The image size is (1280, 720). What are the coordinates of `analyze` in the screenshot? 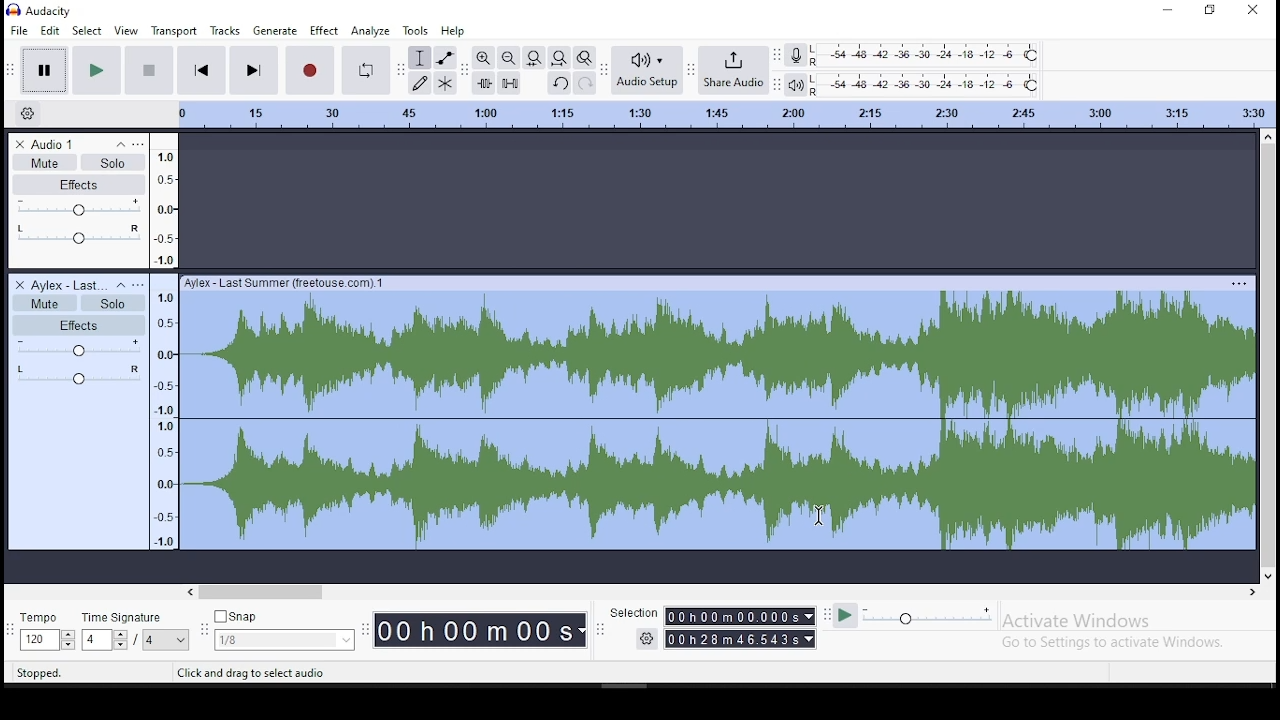 It's located at (369, 31).